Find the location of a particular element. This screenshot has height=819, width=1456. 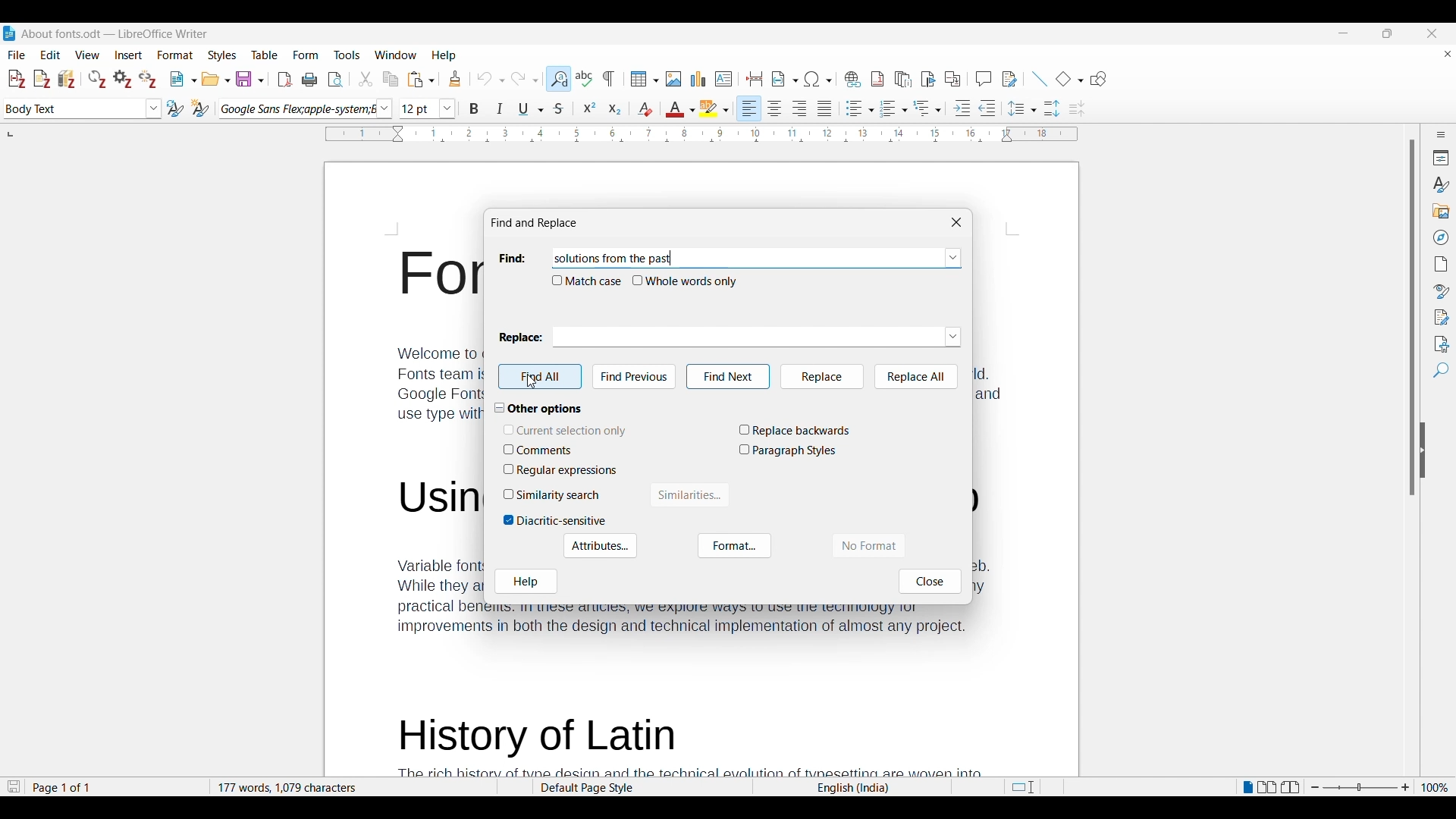

Insert line is located at coordinates (1040, 79).